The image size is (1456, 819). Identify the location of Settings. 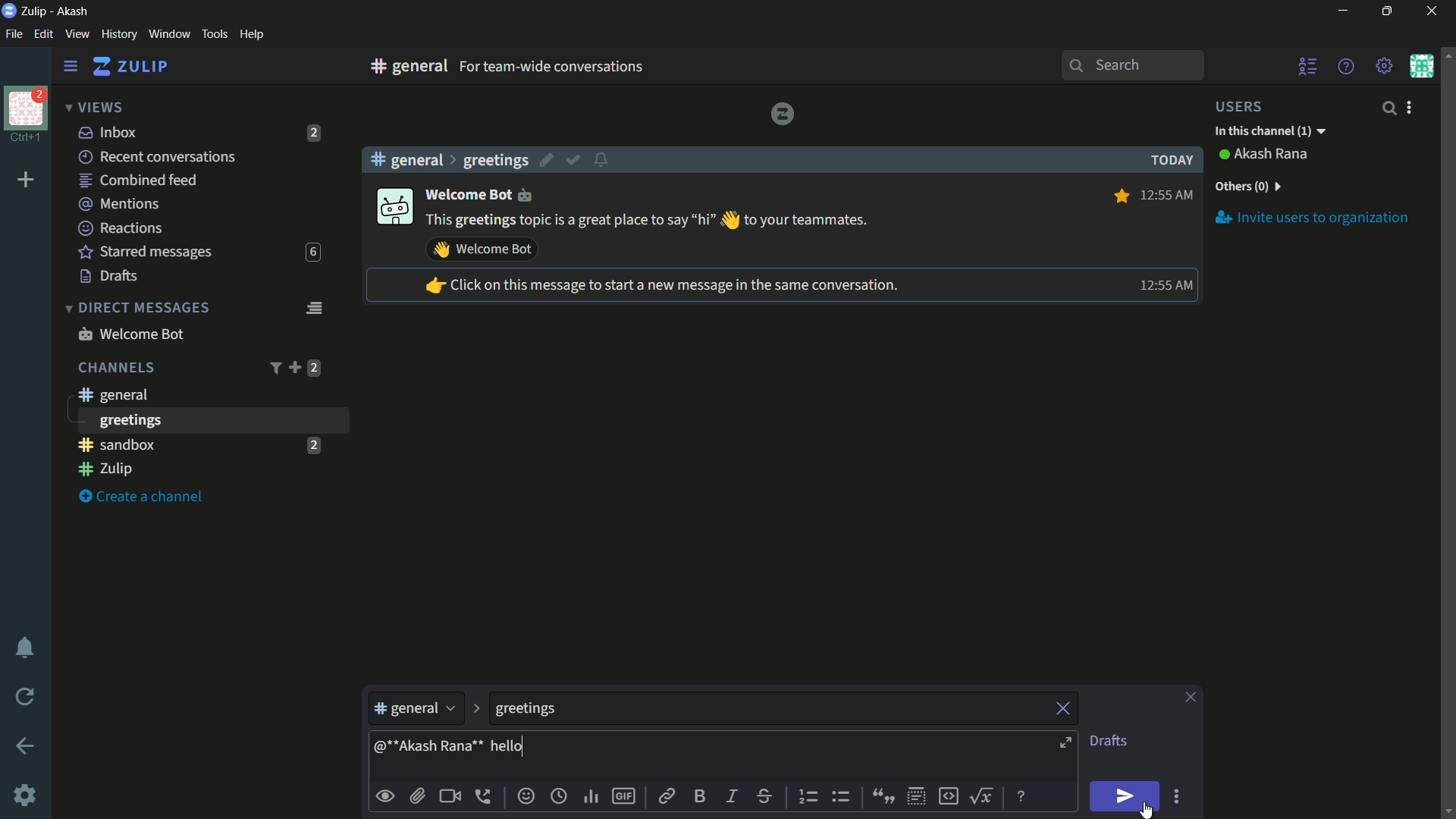
(25, 795).